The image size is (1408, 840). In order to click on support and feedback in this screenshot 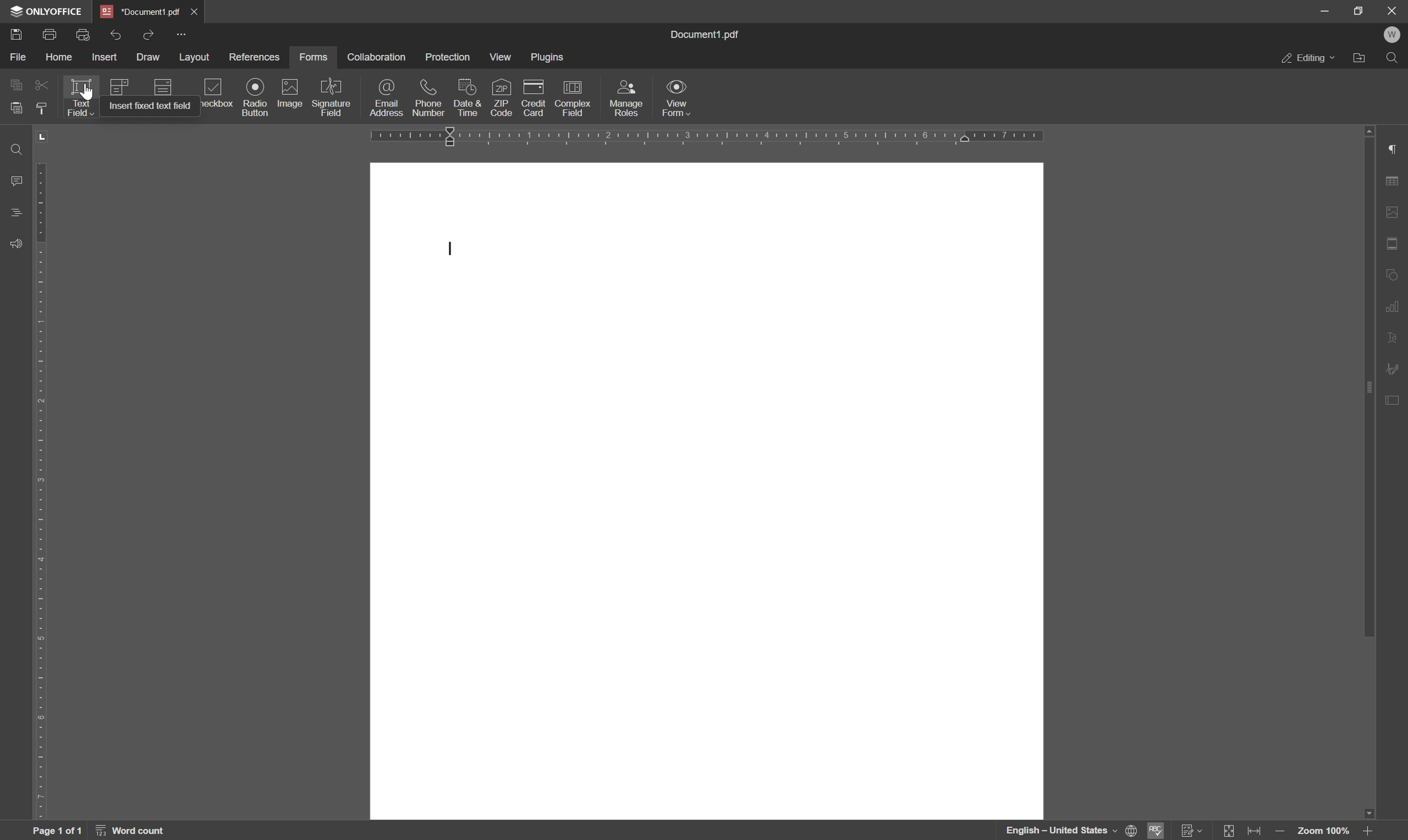, I will do `click(11, 242)`.